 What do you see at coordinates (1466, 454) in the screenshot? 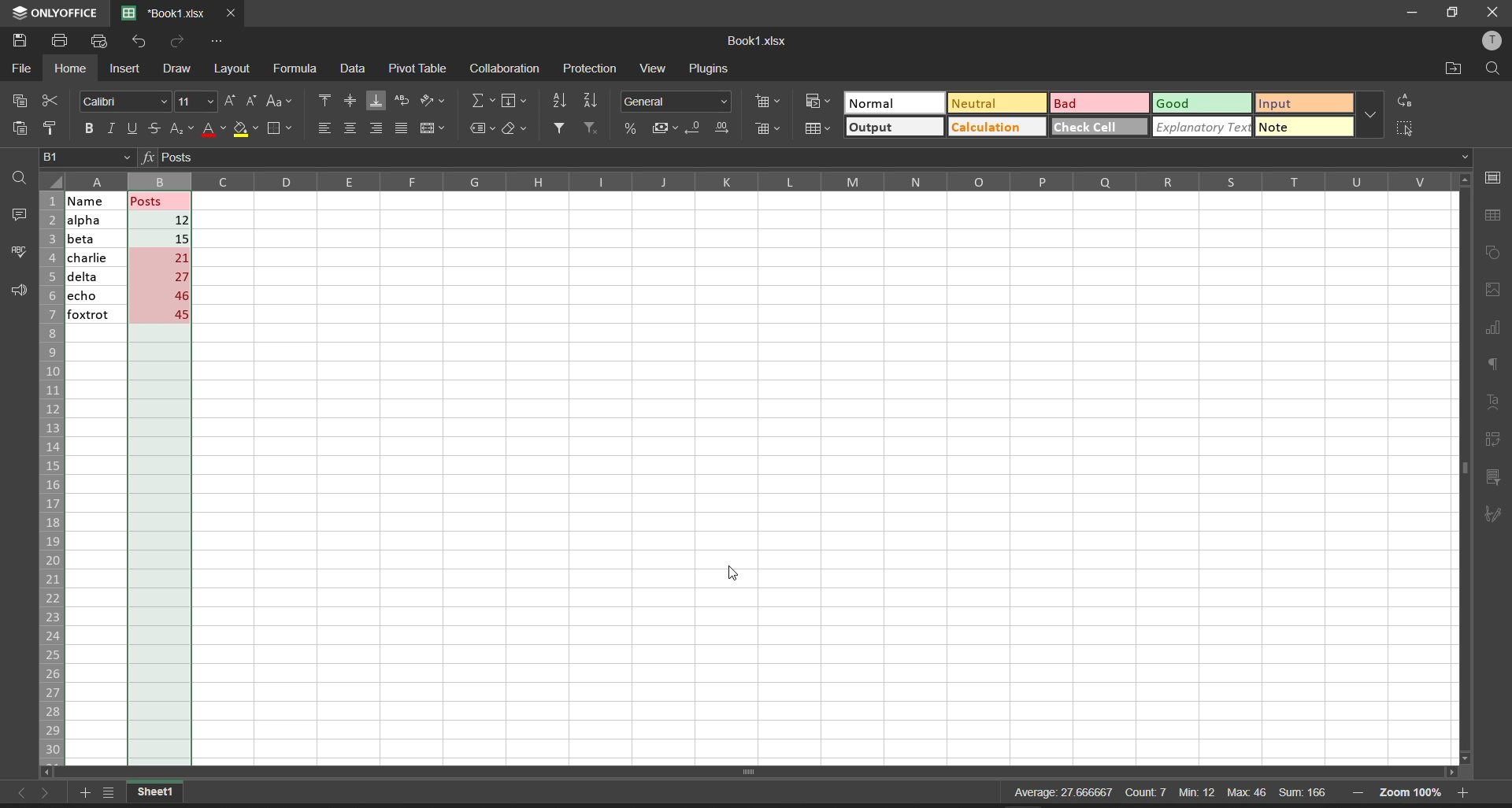
I see `vertical scroll bar` at bounding box center [1466, 454].